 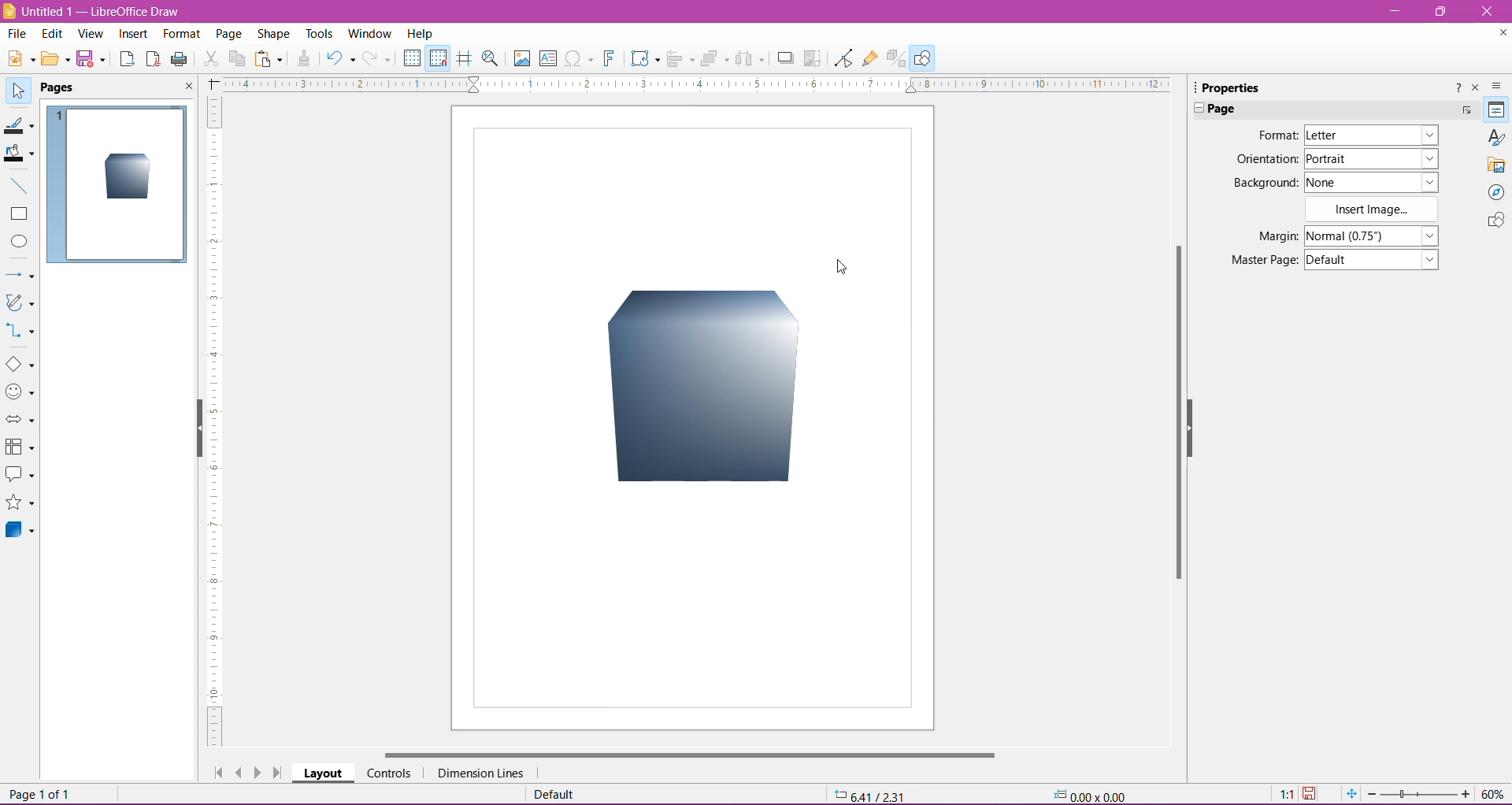 I want to click on Page 1 of 1 (Layout) scene selected, so click(x=124, y=794).